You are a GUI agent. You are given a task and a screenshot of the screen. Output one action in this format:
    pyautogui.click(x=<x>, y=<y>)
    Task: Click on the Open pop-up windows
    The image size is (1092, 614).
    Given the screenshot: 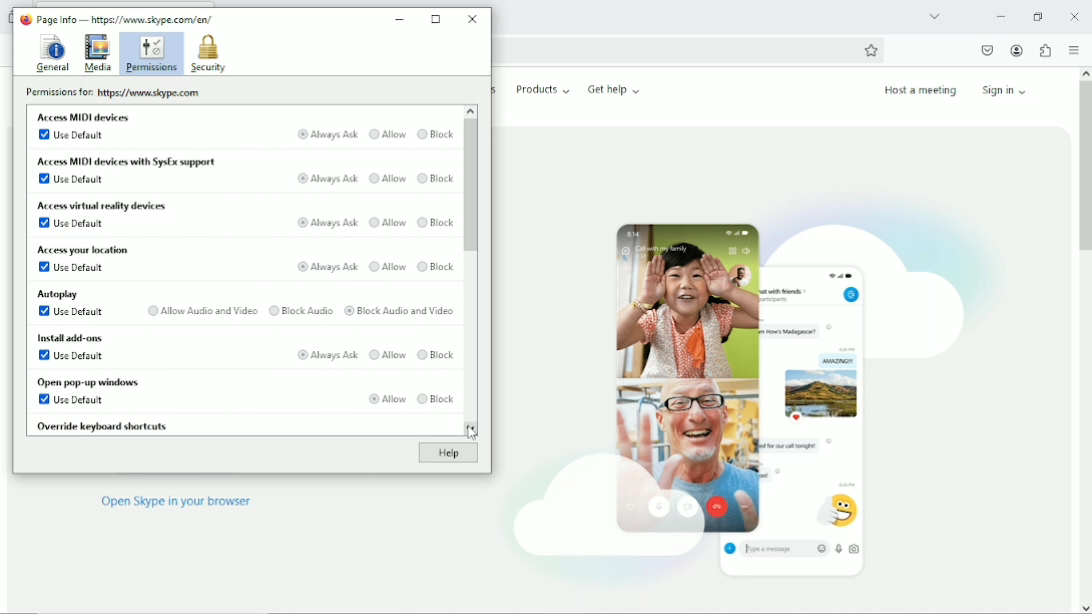 What is the action you would take?
    pyautogui.click(x=85, y=382)
    